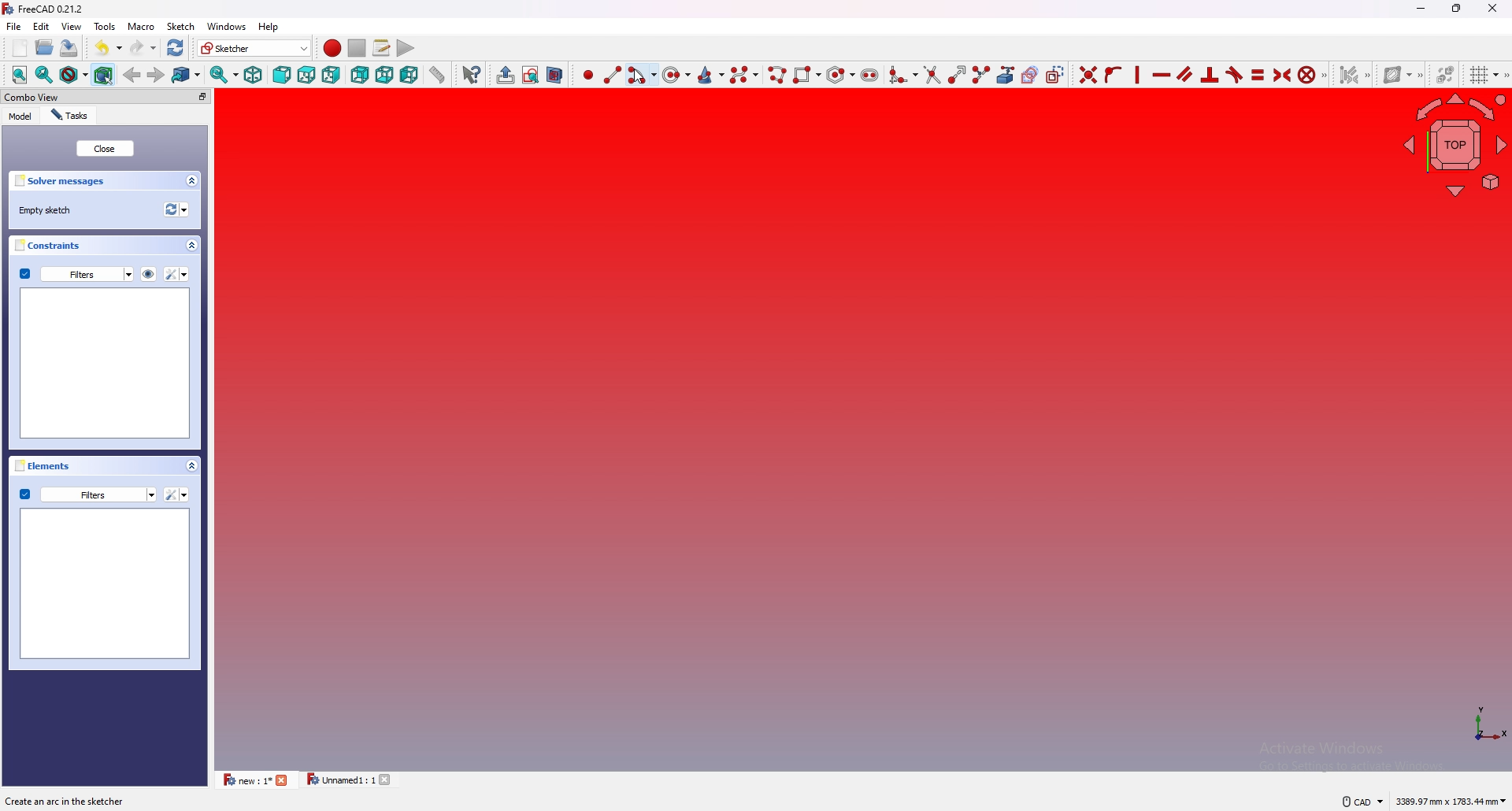  I want to click on front, so click(280, 76).